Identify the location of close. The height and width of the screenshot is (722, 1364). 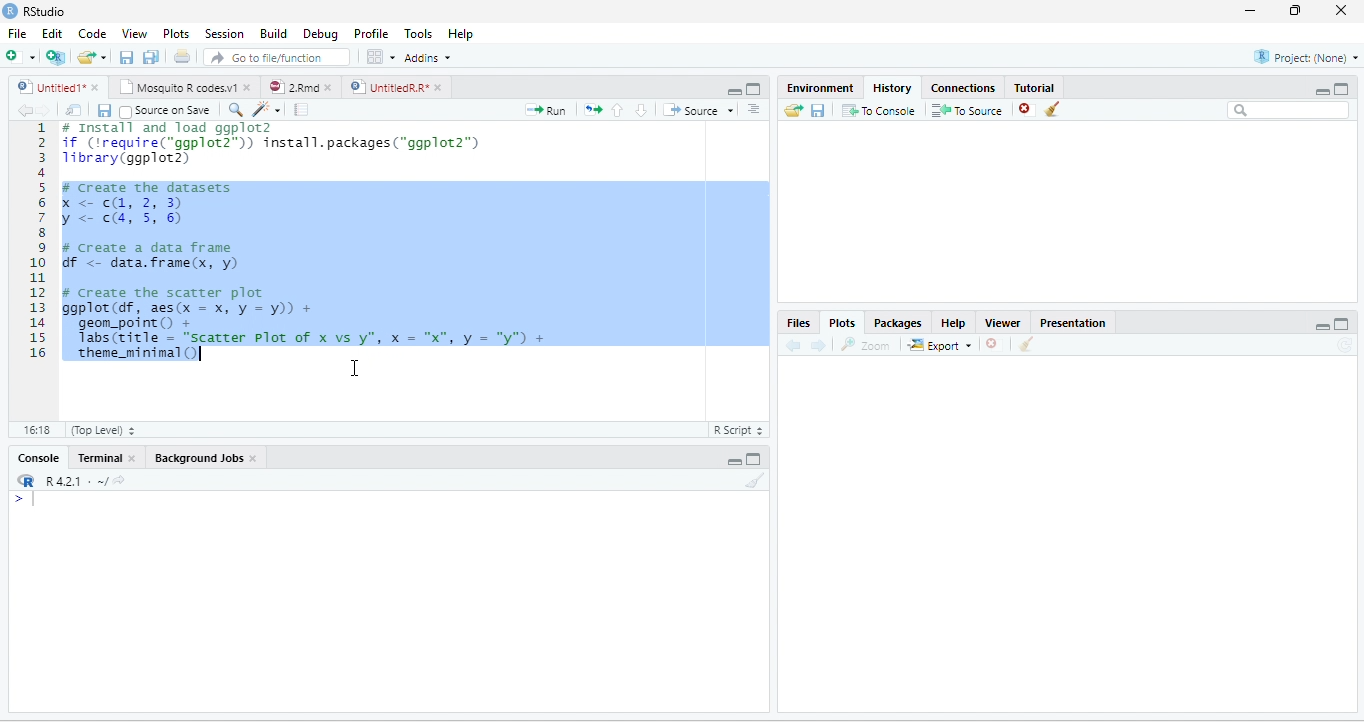
(131, 458).